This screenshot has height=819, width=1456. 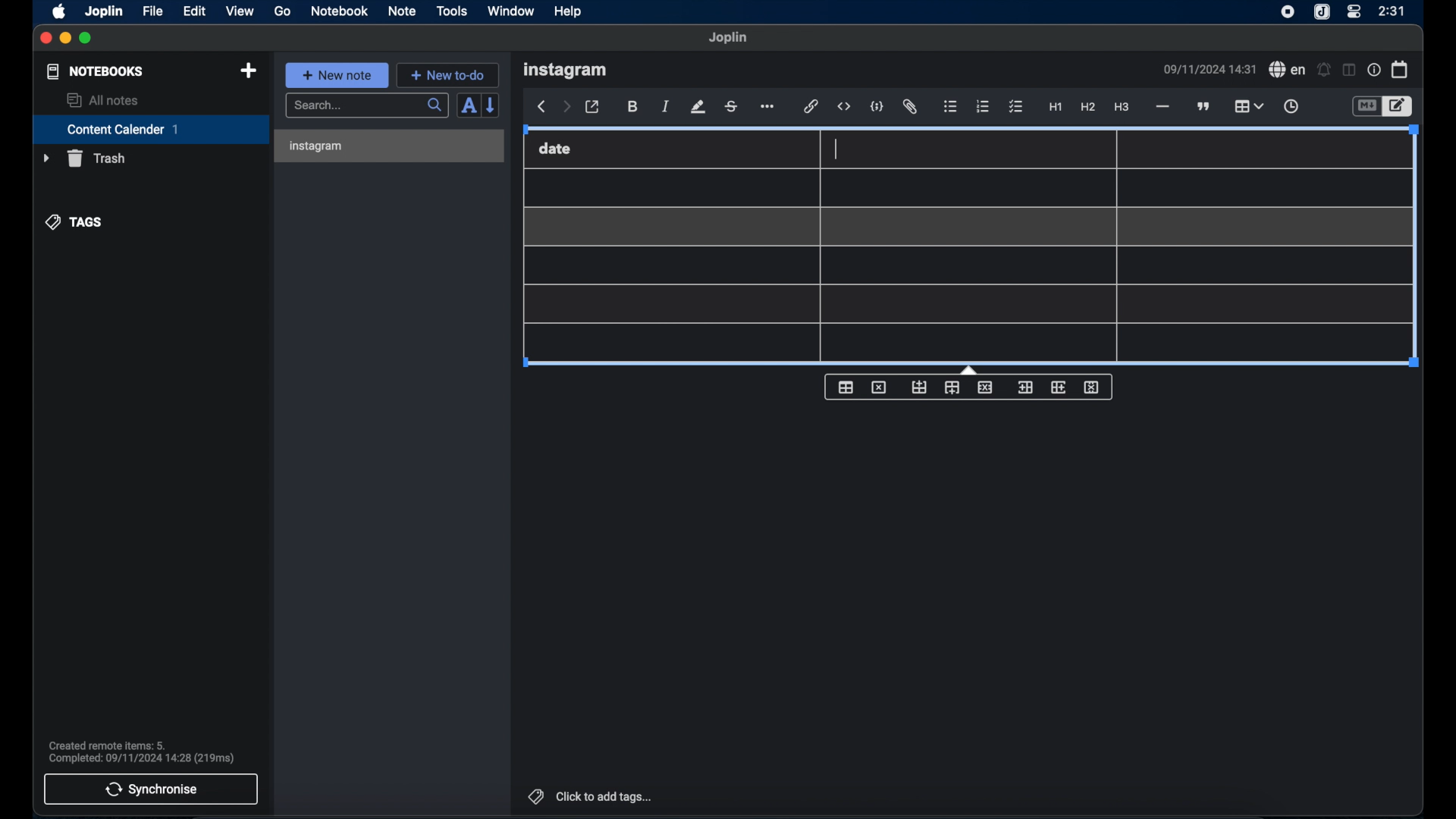 What do you see at coordinates (570, 12) in the screenshot?
I see `help` at bounding box center [570, 12].